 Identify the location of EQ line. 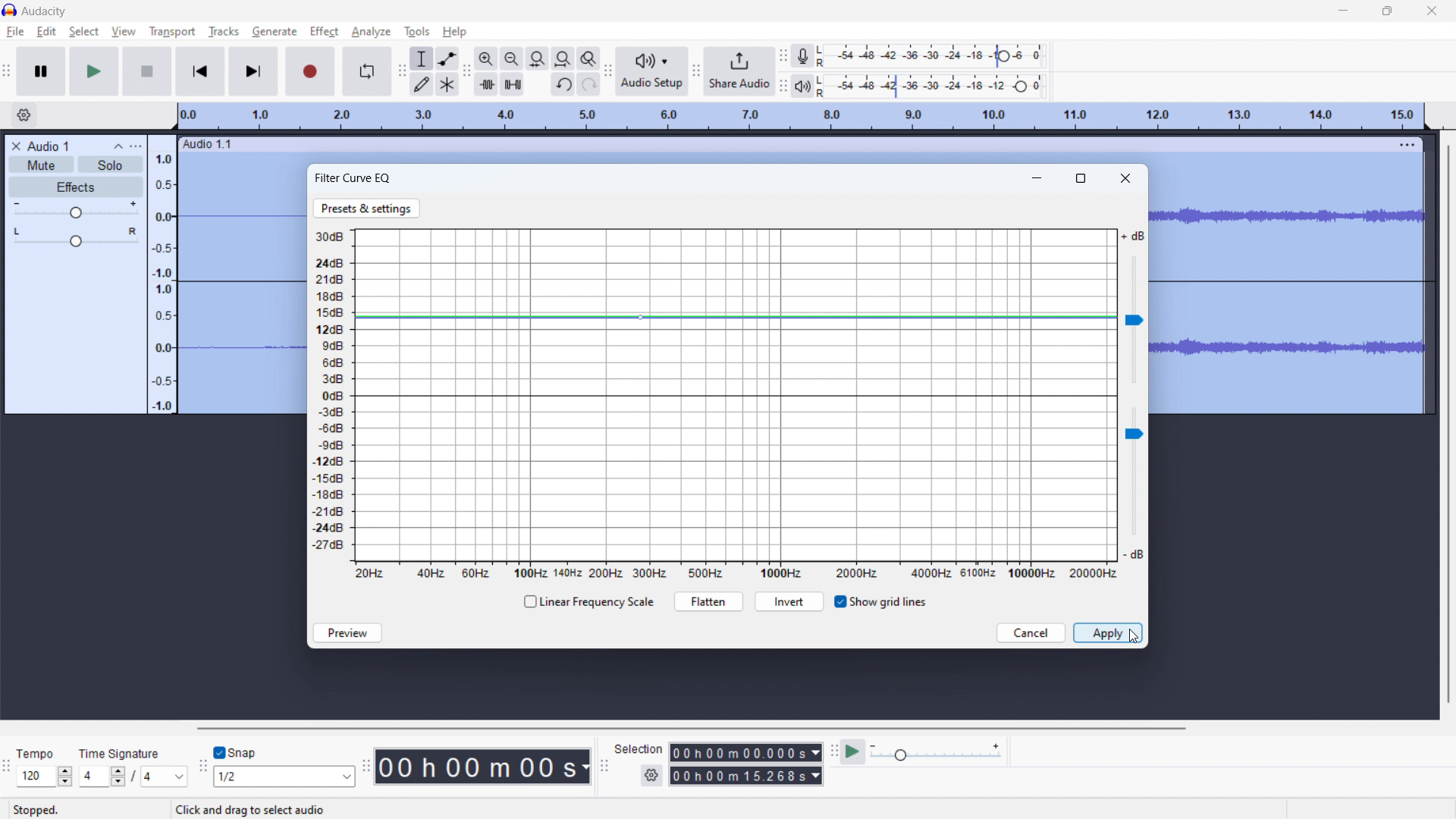
(735, 396).